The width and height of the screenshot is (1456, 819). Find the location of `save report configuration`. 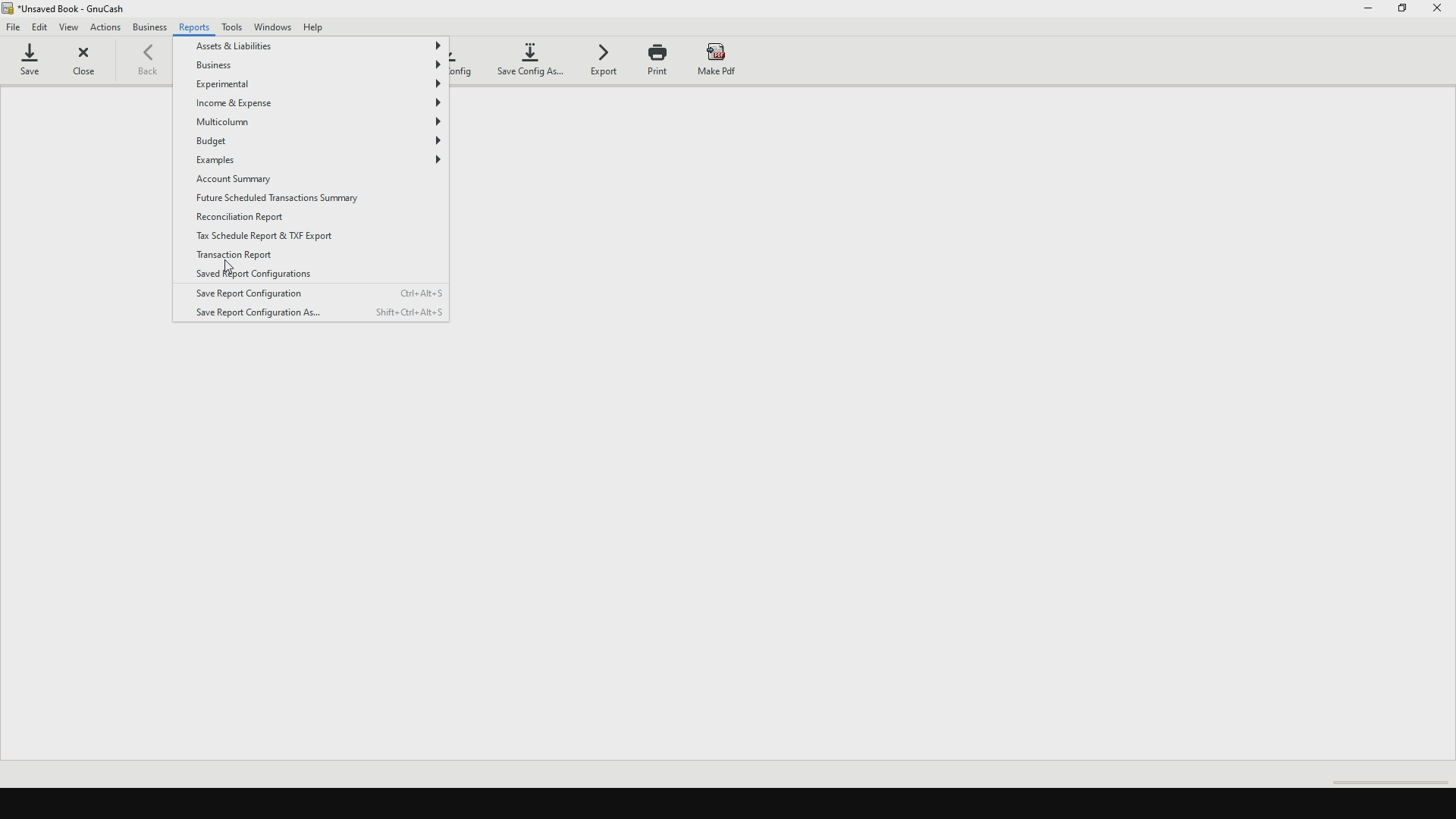

save report configuration is located at coordinates (319, 291).